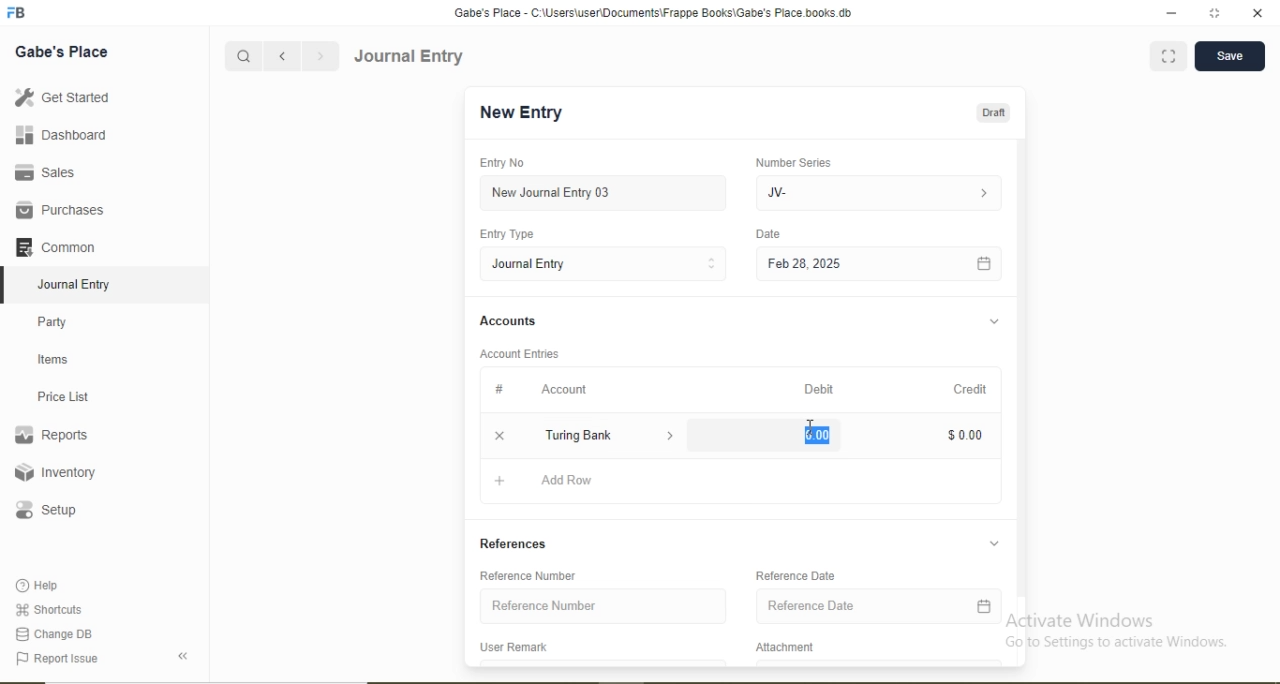  I want to click on Account, so click(564, 390).